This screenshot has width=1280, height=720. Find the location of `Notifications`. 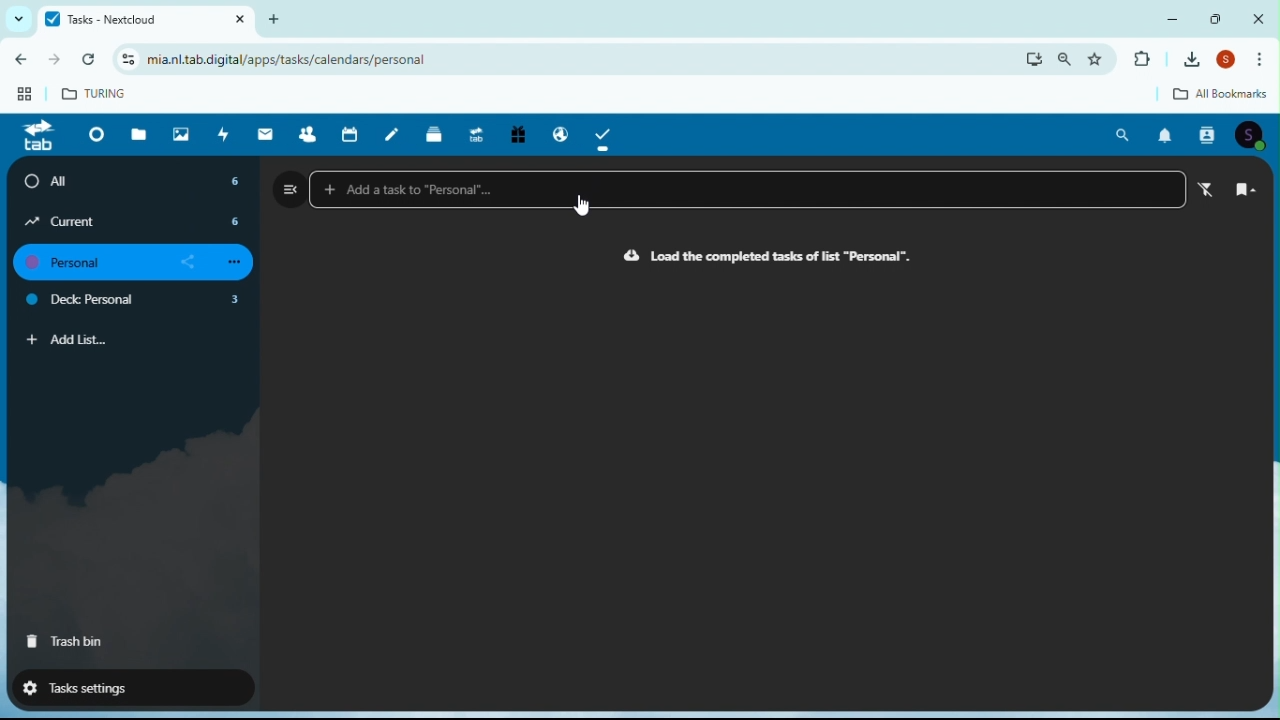

Notifications is located at coordinates (1165, 136).